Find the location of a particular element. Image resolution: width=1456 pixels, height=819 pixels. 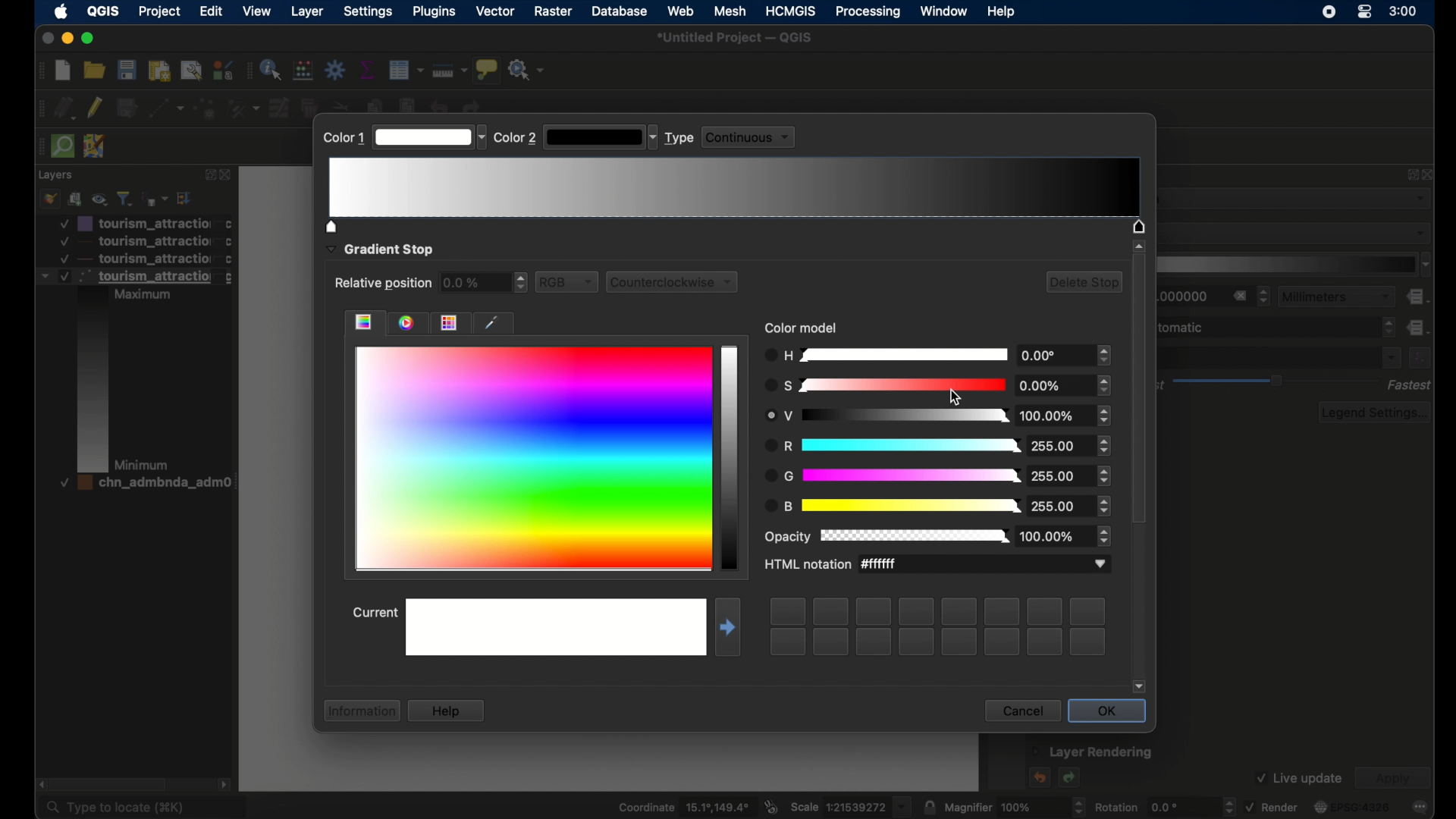

view is located at coordinates (259, 12).